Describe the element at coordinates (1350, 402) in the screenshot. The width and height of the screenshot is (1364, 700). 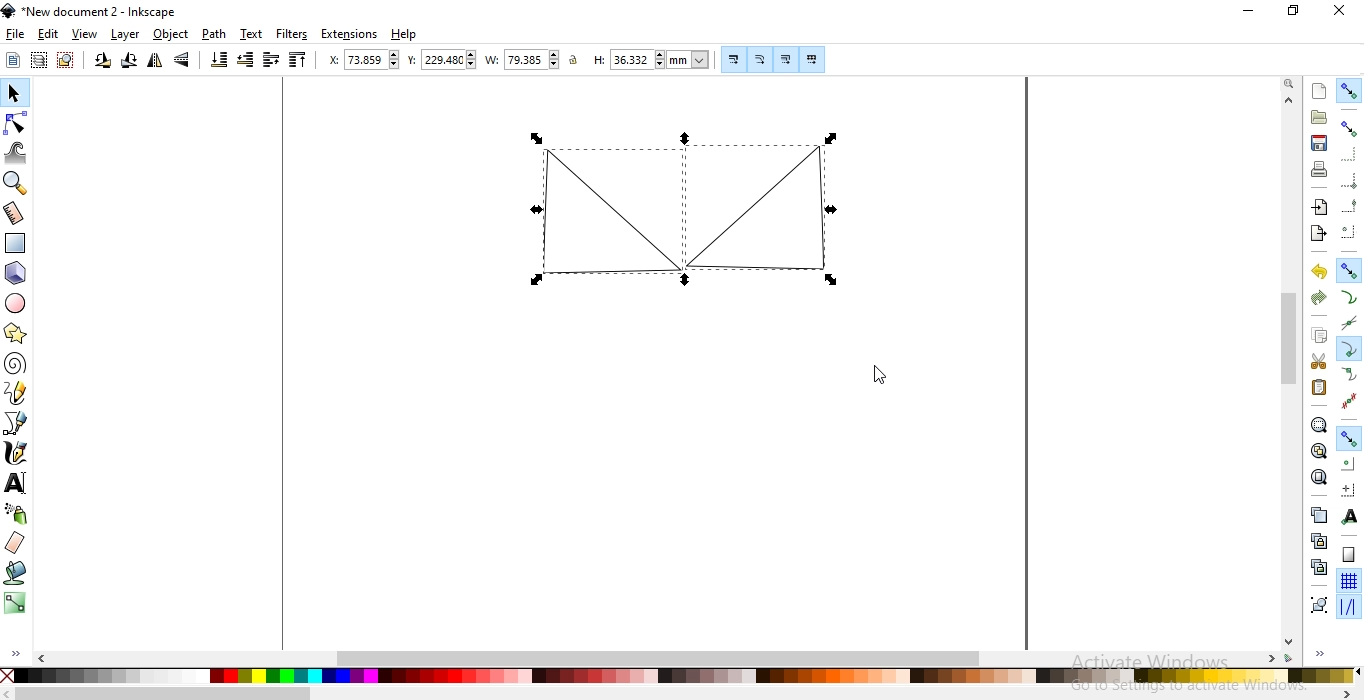
I see `snap midpoints of line segments` at that location.